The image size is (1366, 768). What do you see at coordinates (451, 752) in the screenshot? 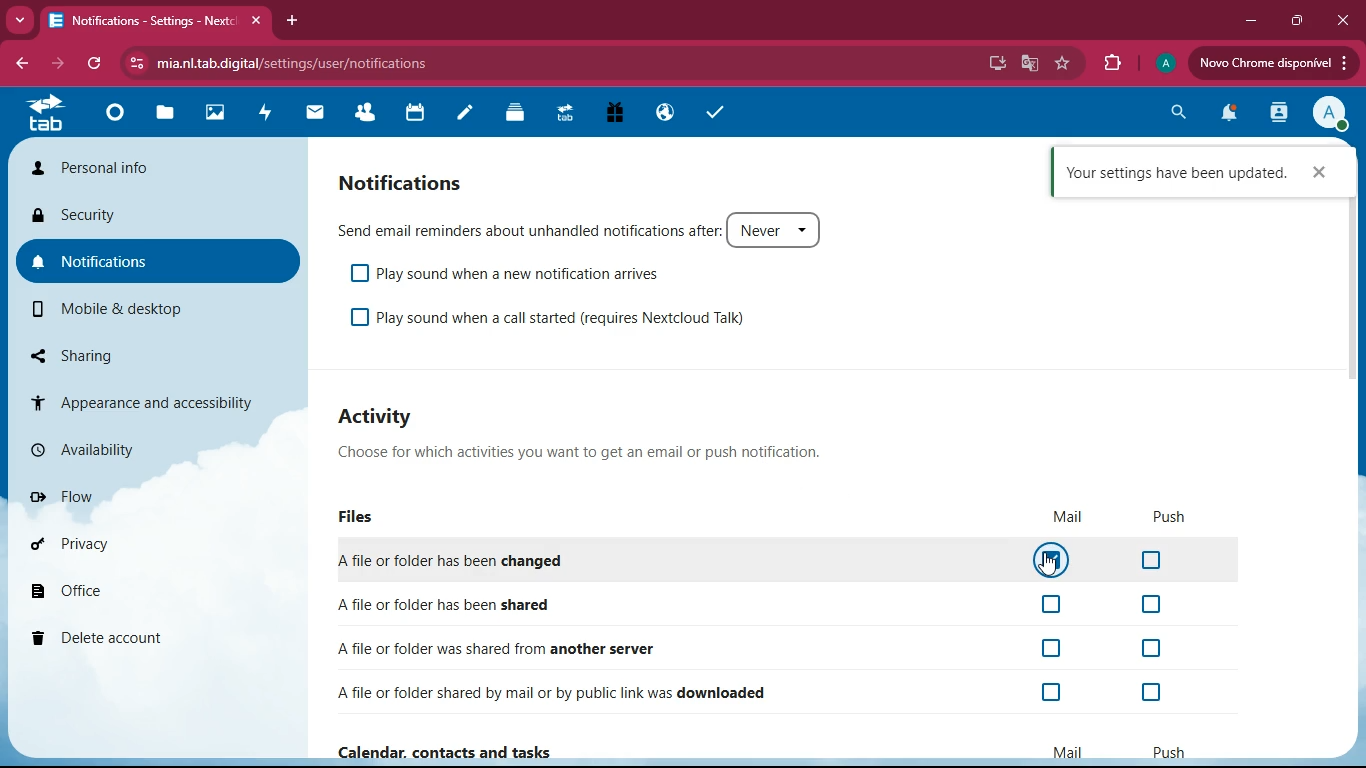
I see `Calendar, contacts and tasks` at bounding box center [451, 752].